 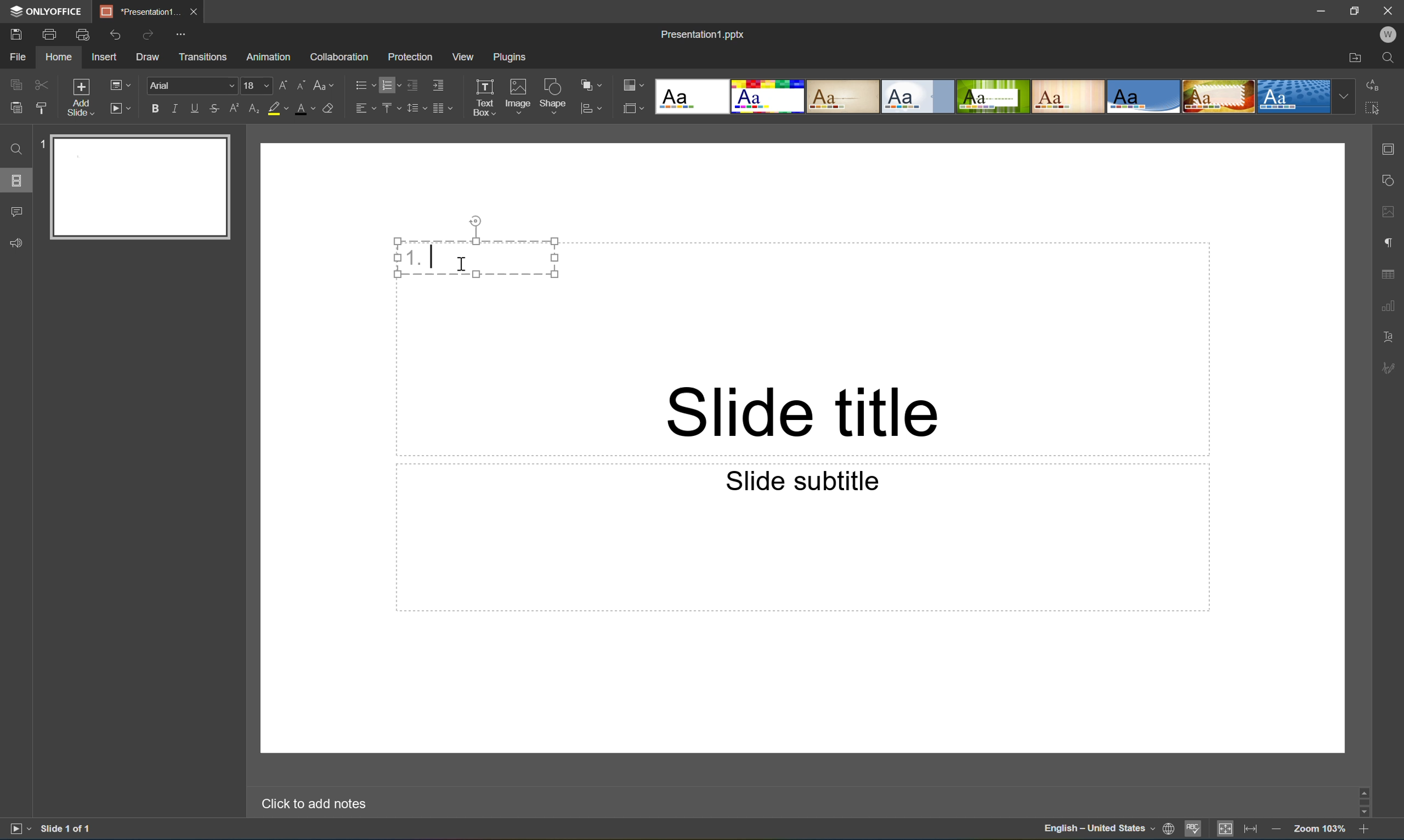 I want to click on Home, so click(x=61, y=57).